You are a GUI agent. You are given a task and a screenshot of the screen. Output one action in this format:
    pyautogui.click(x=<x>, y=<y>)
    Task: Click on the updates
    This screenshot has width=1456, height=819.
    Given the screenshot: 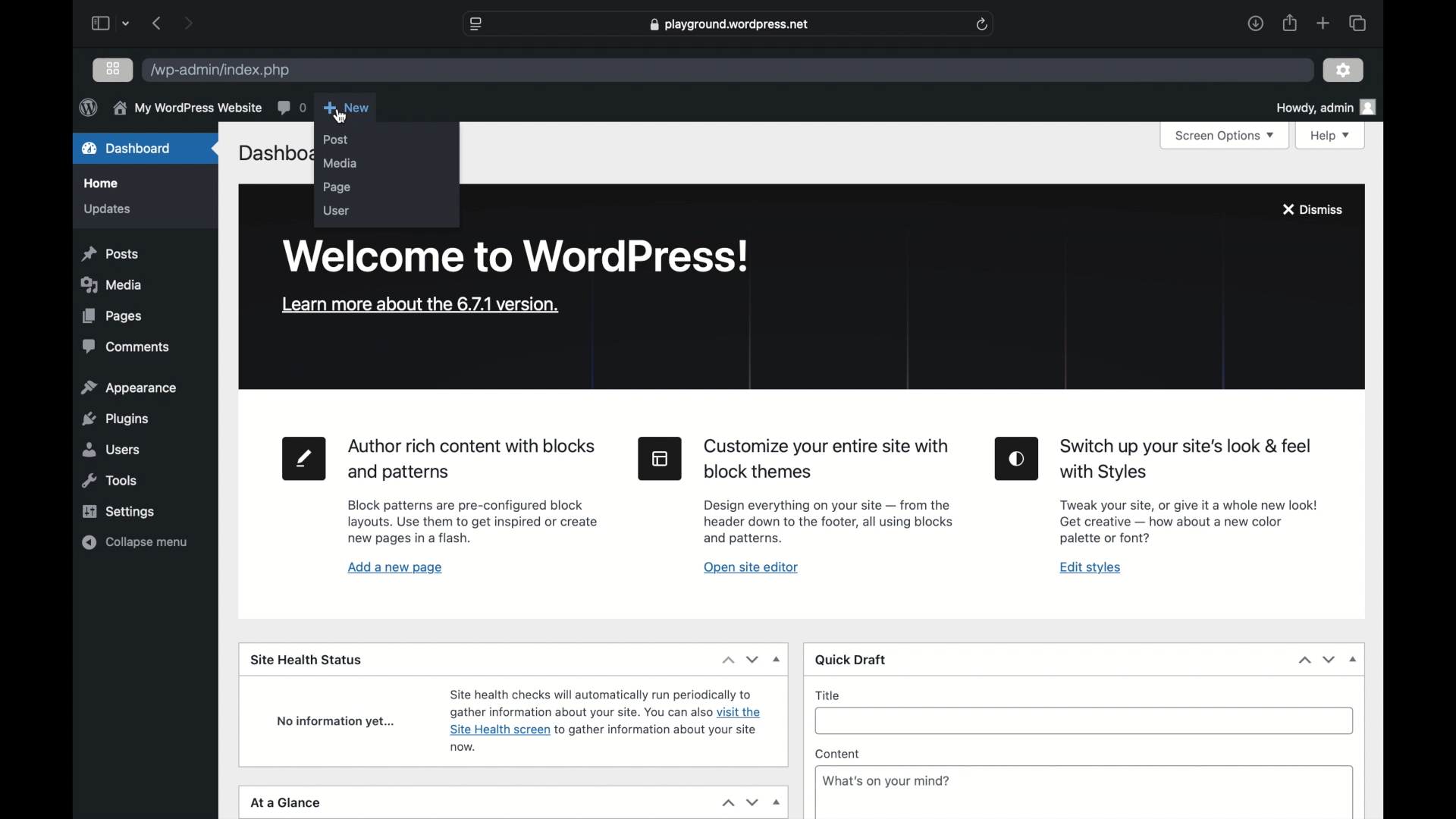 What is the action you would take?
    pyautogui.click(x=108, y=209)
    